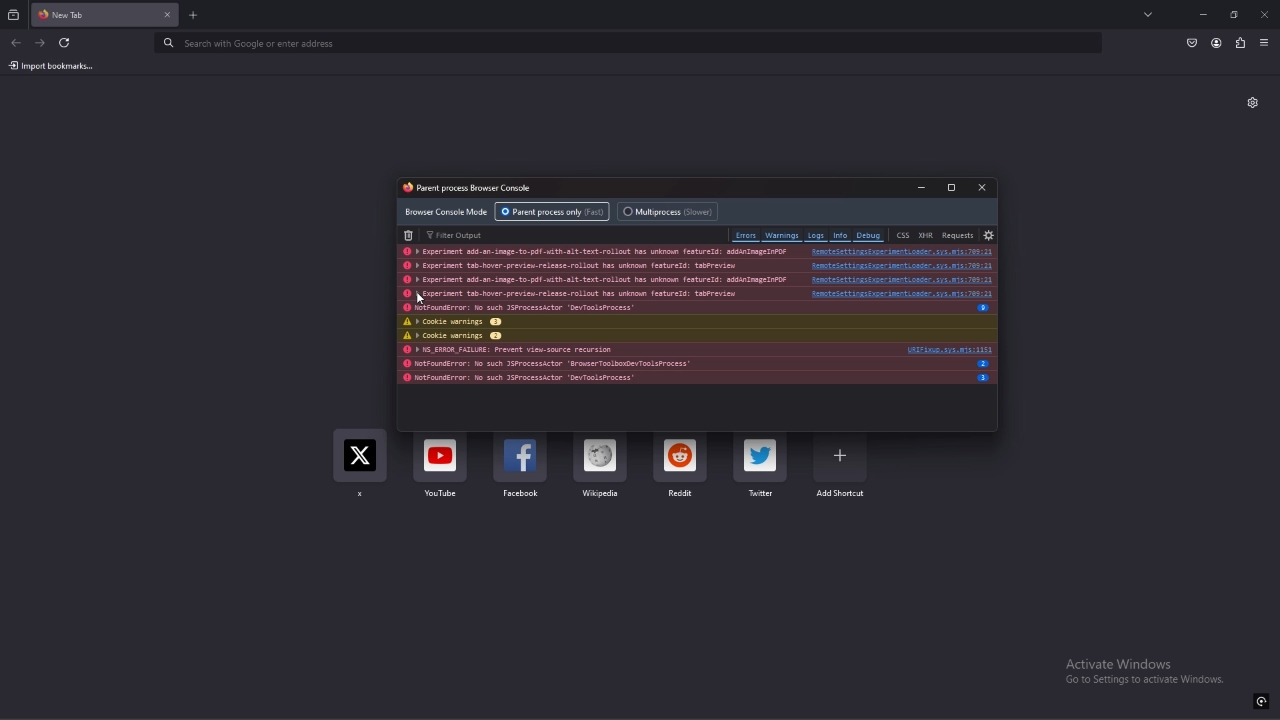 The image size is (1280, 720). I want to click on cookie warnings, so click(585, 336).